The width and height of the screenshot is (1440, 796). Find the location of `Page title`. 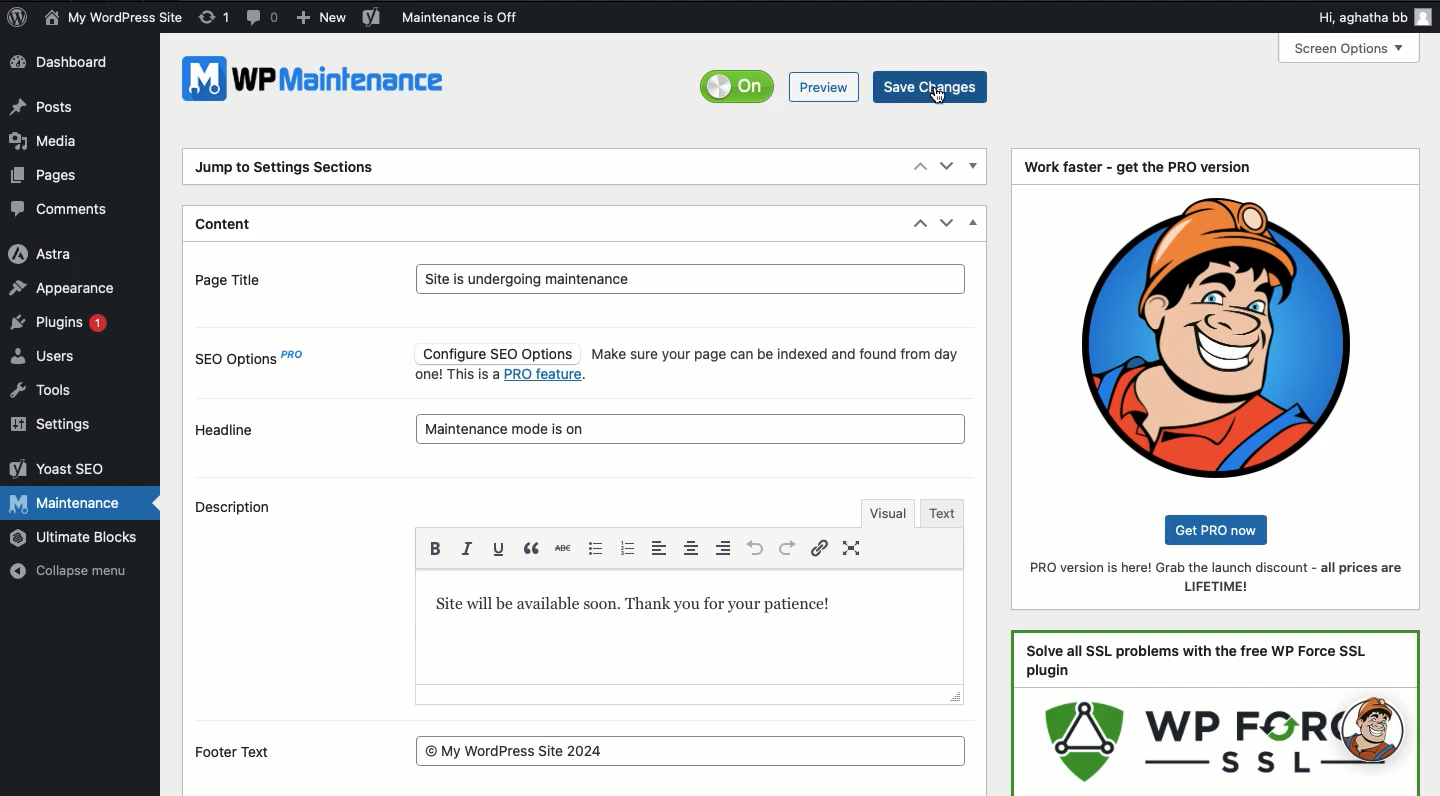

Page title is located at coordinates (247, 278).